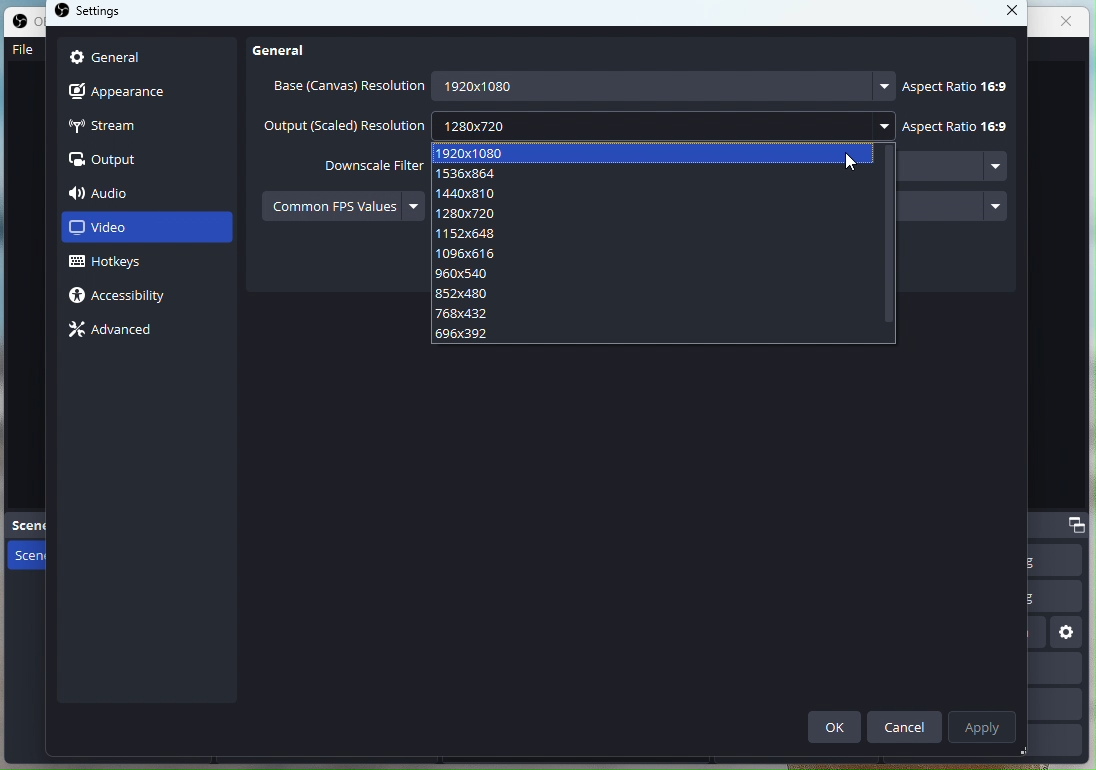 This screenshot has height=770, width=1096. What do you see at coordinates (884, 86) in the screenshot?
I see `more options` at bounding box center [884, 86].